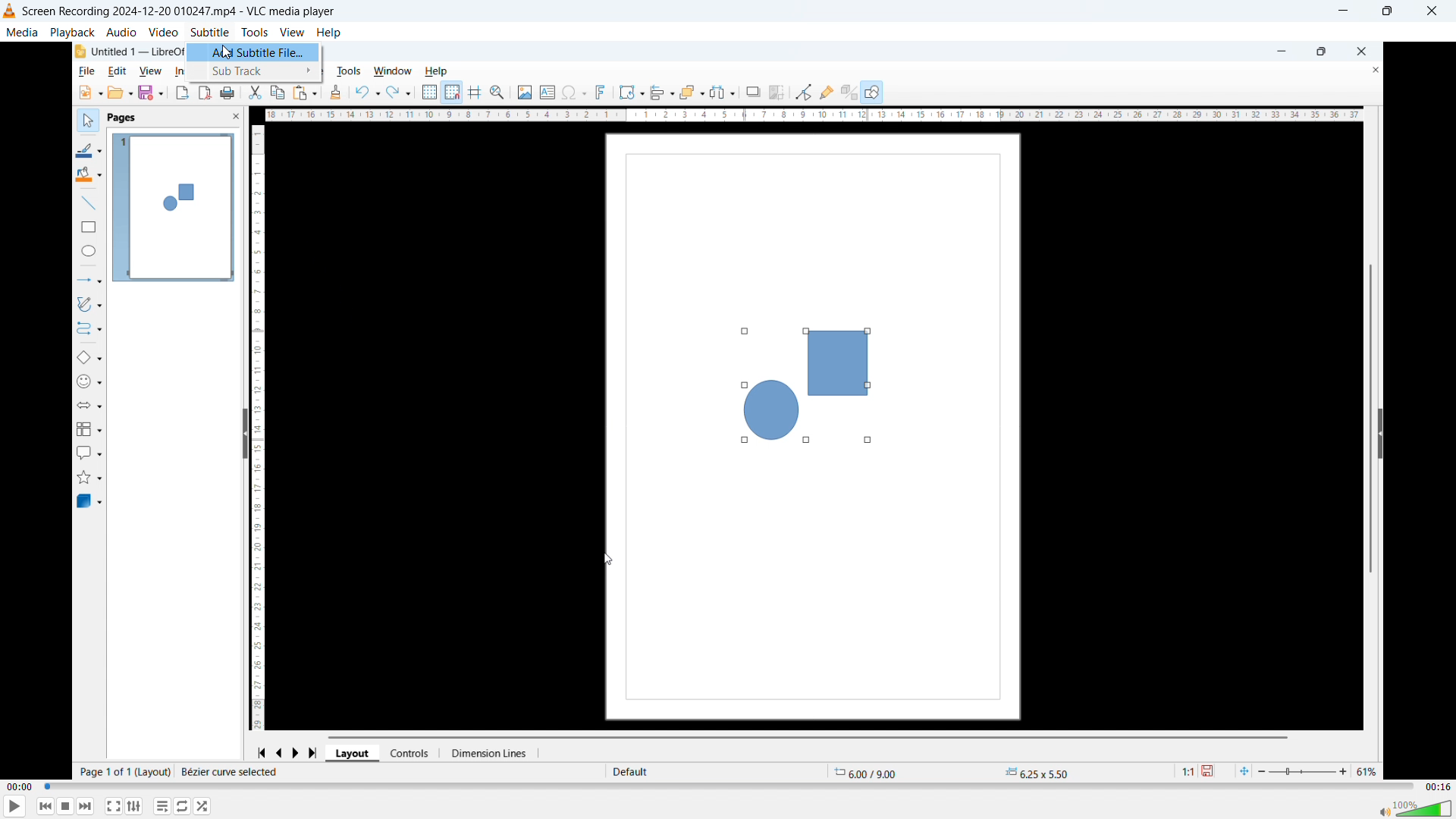 This screenshot has width=1456, height=819. Describe the element at coordinates (1278, 50) in the screenshot. I see `minimize` at that location.